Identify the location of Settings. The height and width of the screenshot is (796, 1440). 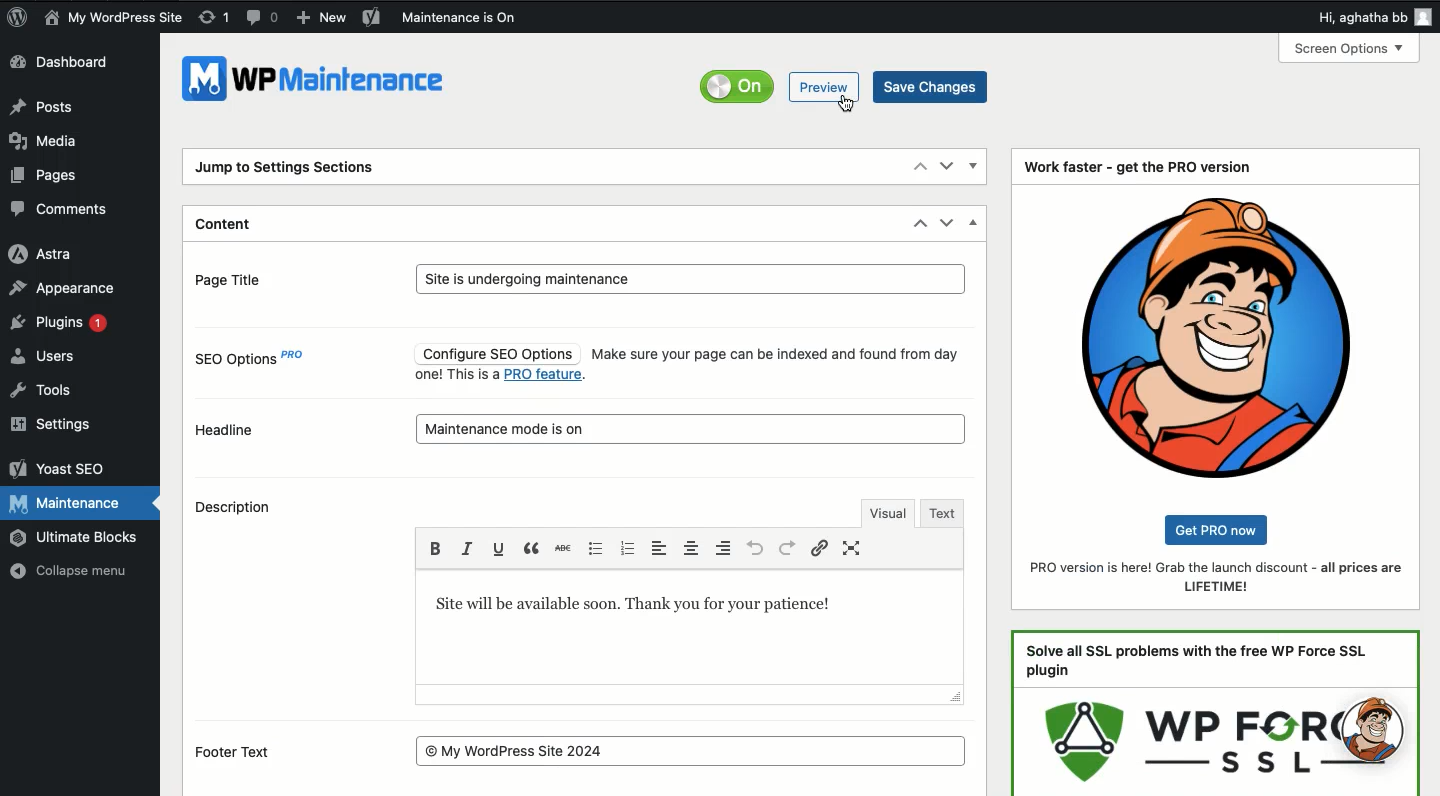
(56, 425).